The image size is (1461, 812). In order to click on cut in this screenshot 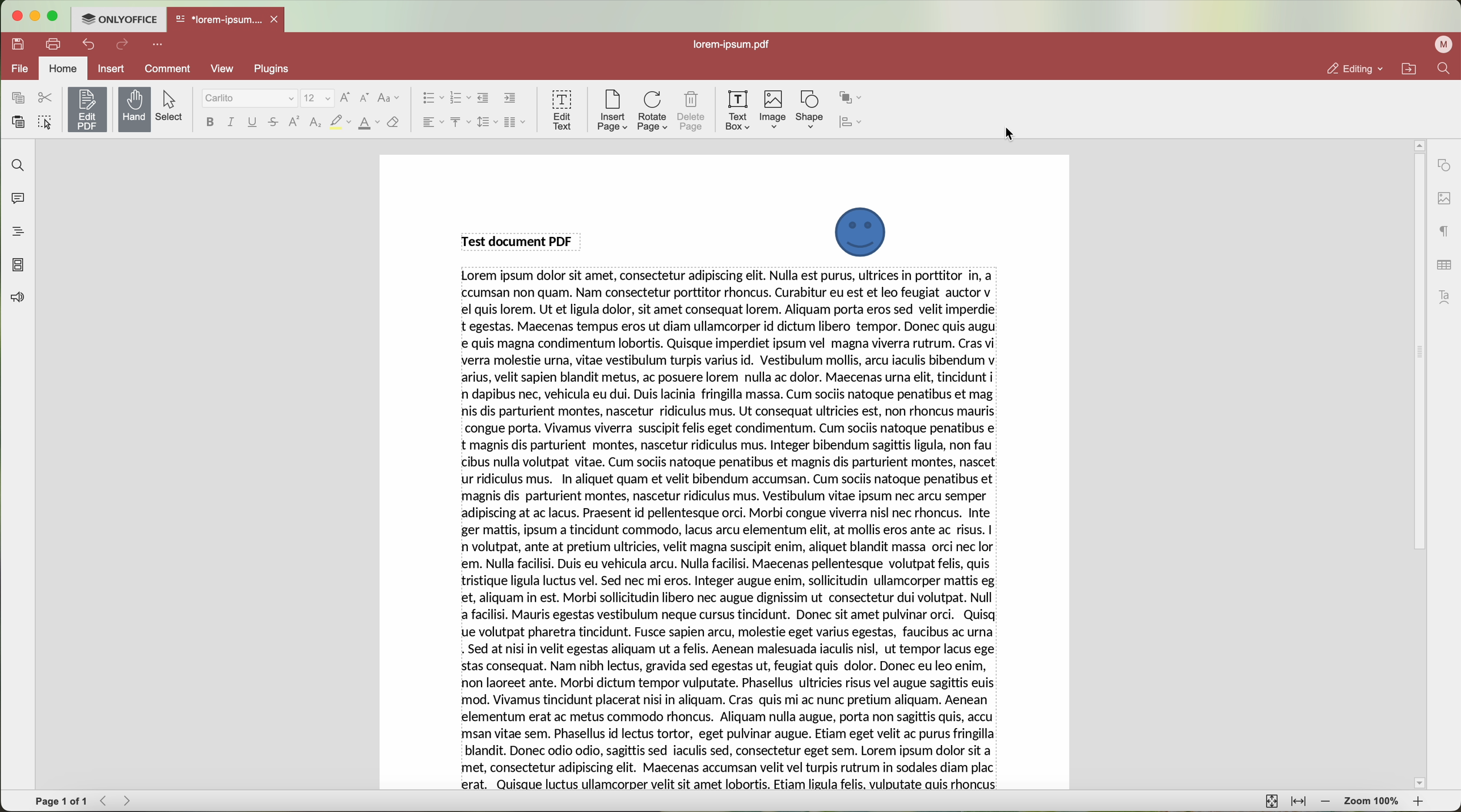, I will do `click(45, 98)`.